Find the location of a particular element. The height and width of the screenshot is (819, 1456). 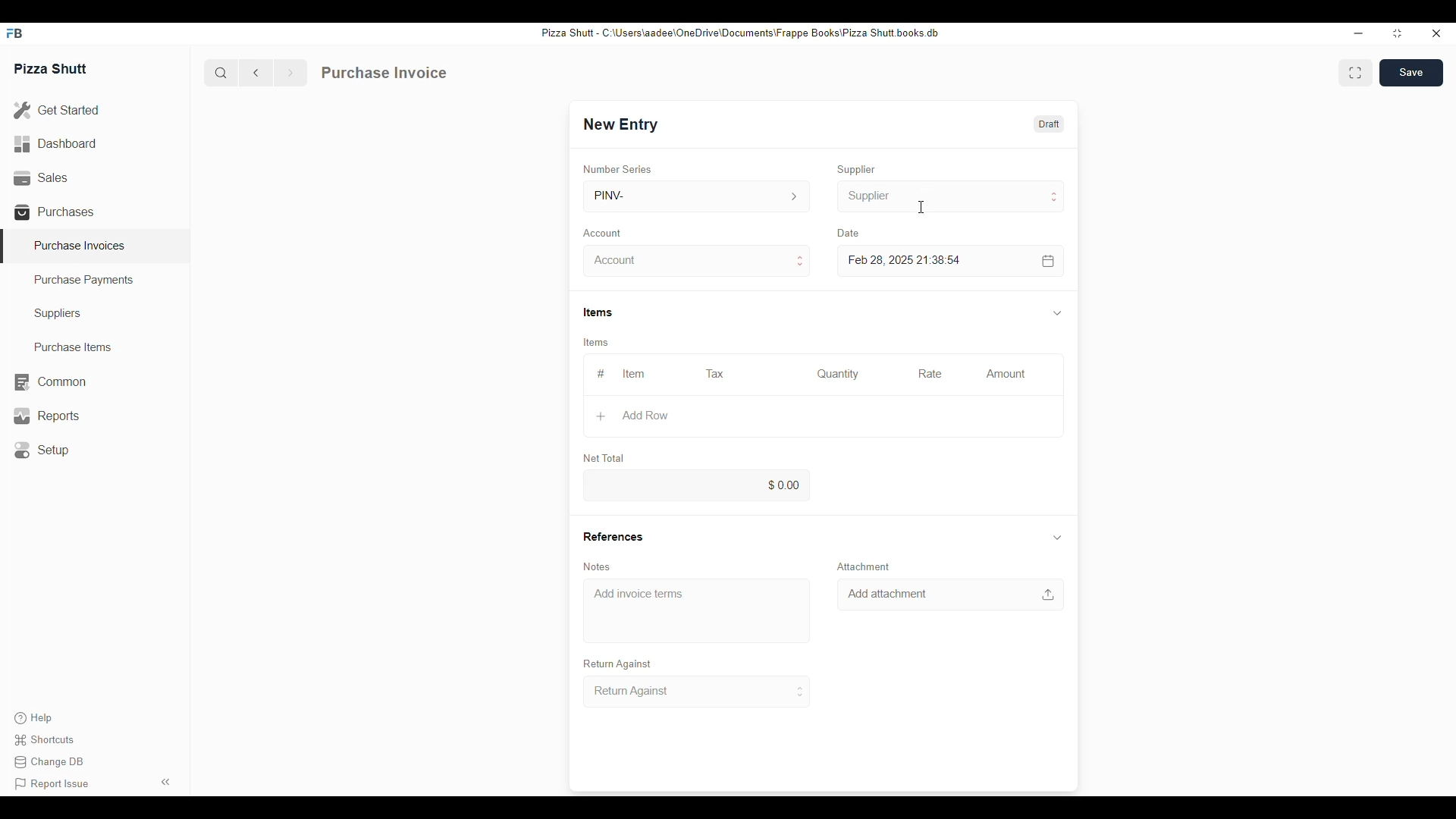

Shortcuts is located at coordinates (48, 740).